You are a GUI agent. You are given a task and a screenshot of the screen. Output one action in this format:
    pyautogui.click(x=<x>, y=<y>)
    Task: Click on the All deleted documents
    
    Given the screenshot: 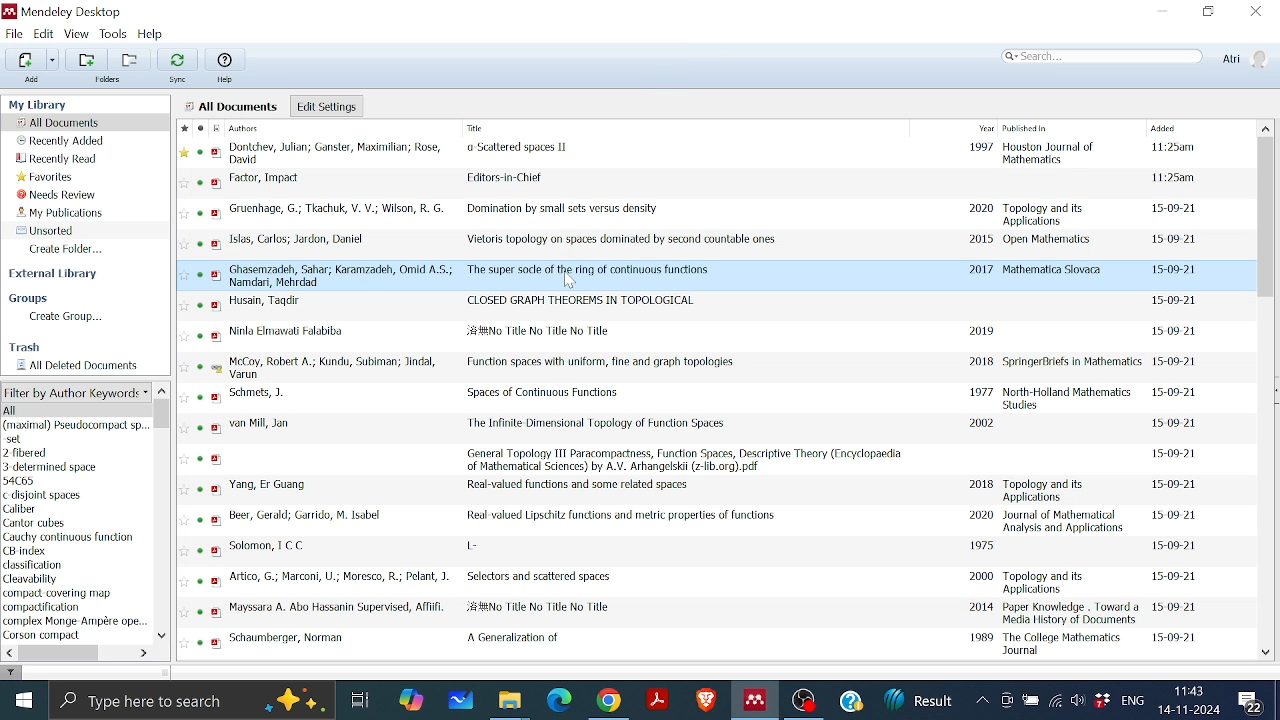 What is the action you would take?
    pyautogui.click(x=79, y=363)
    